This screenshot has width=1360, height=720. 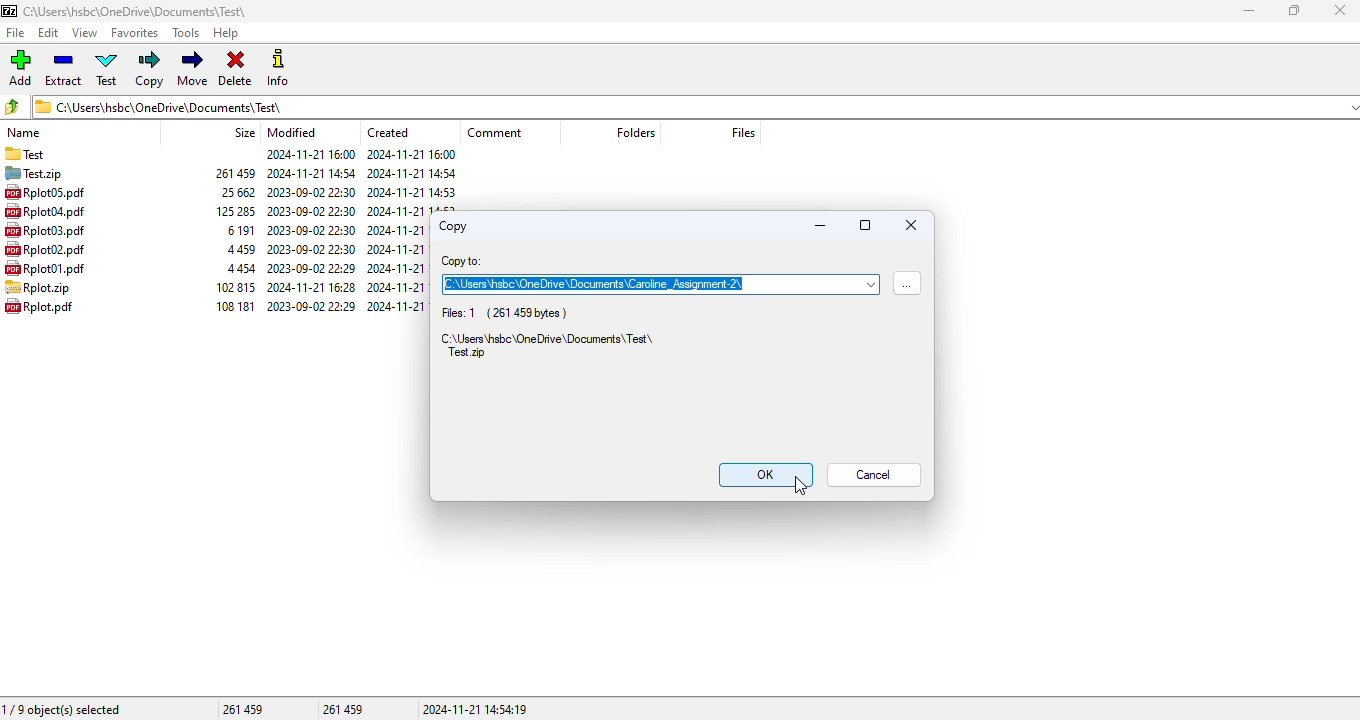 I want to click on test, so click(x=107, y=70).